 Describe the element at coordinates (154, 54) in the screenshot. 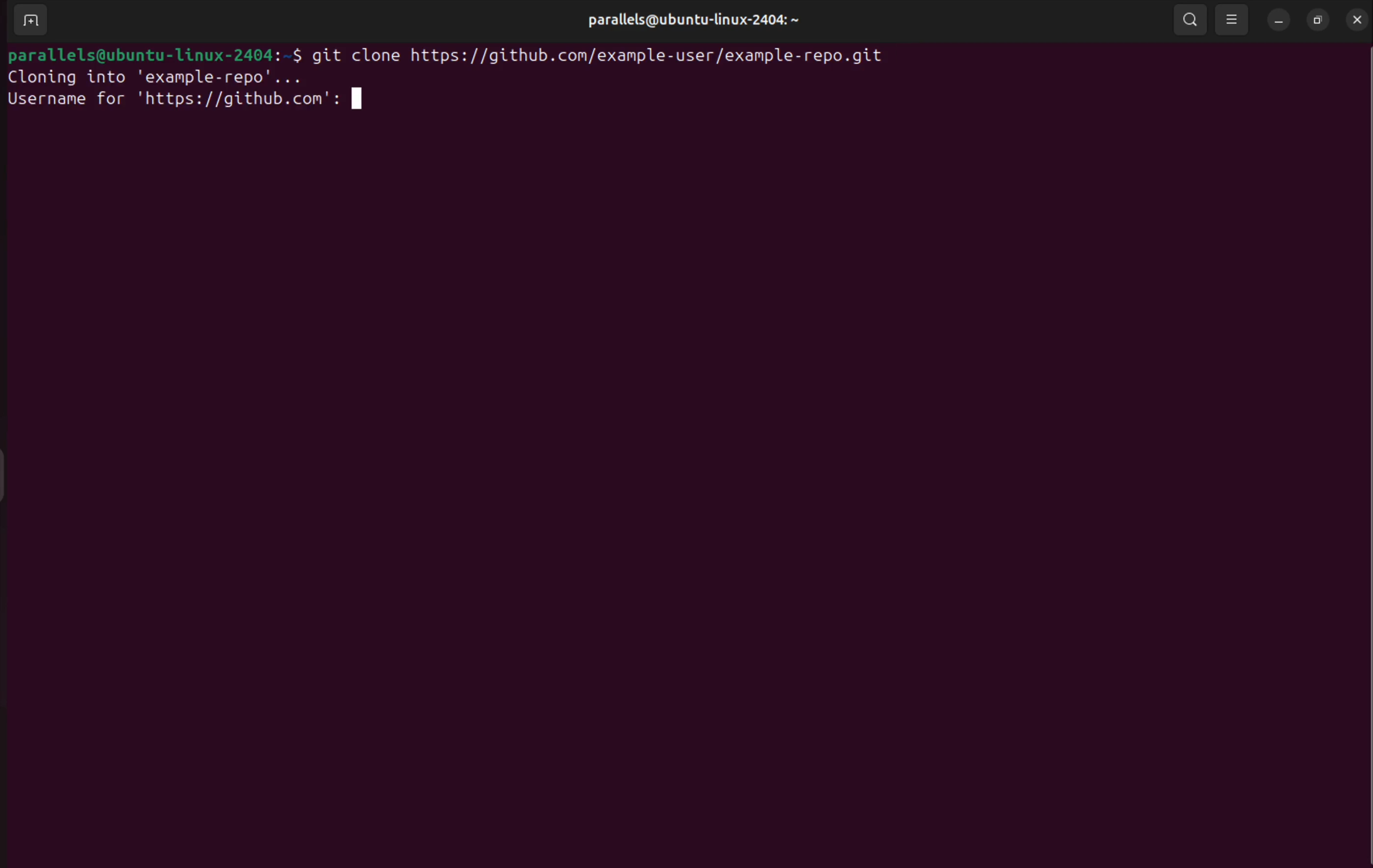

I see `bash prompt` at that location.